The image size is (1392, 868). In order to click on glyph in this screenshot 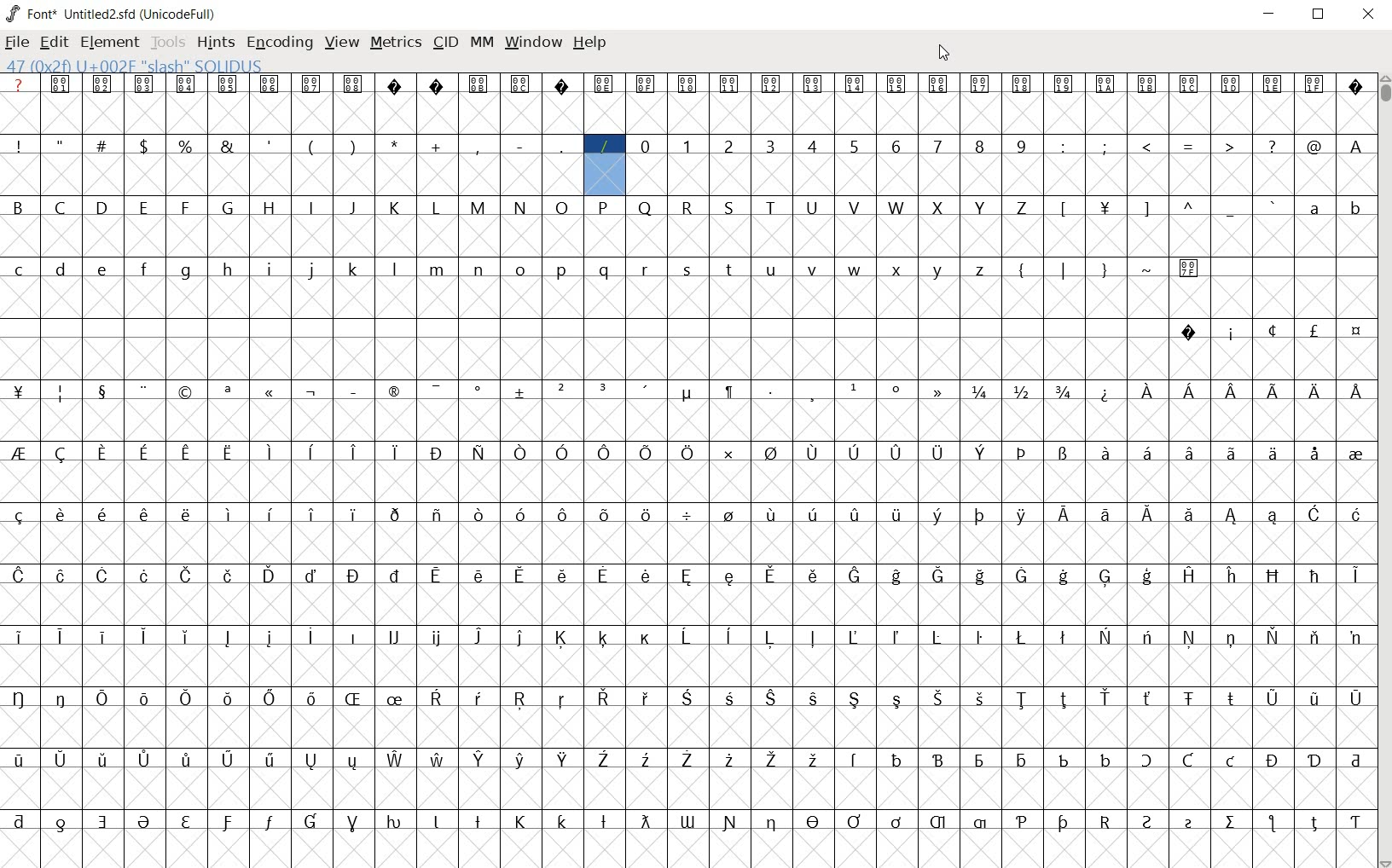, I will do `click(396, 760)`.